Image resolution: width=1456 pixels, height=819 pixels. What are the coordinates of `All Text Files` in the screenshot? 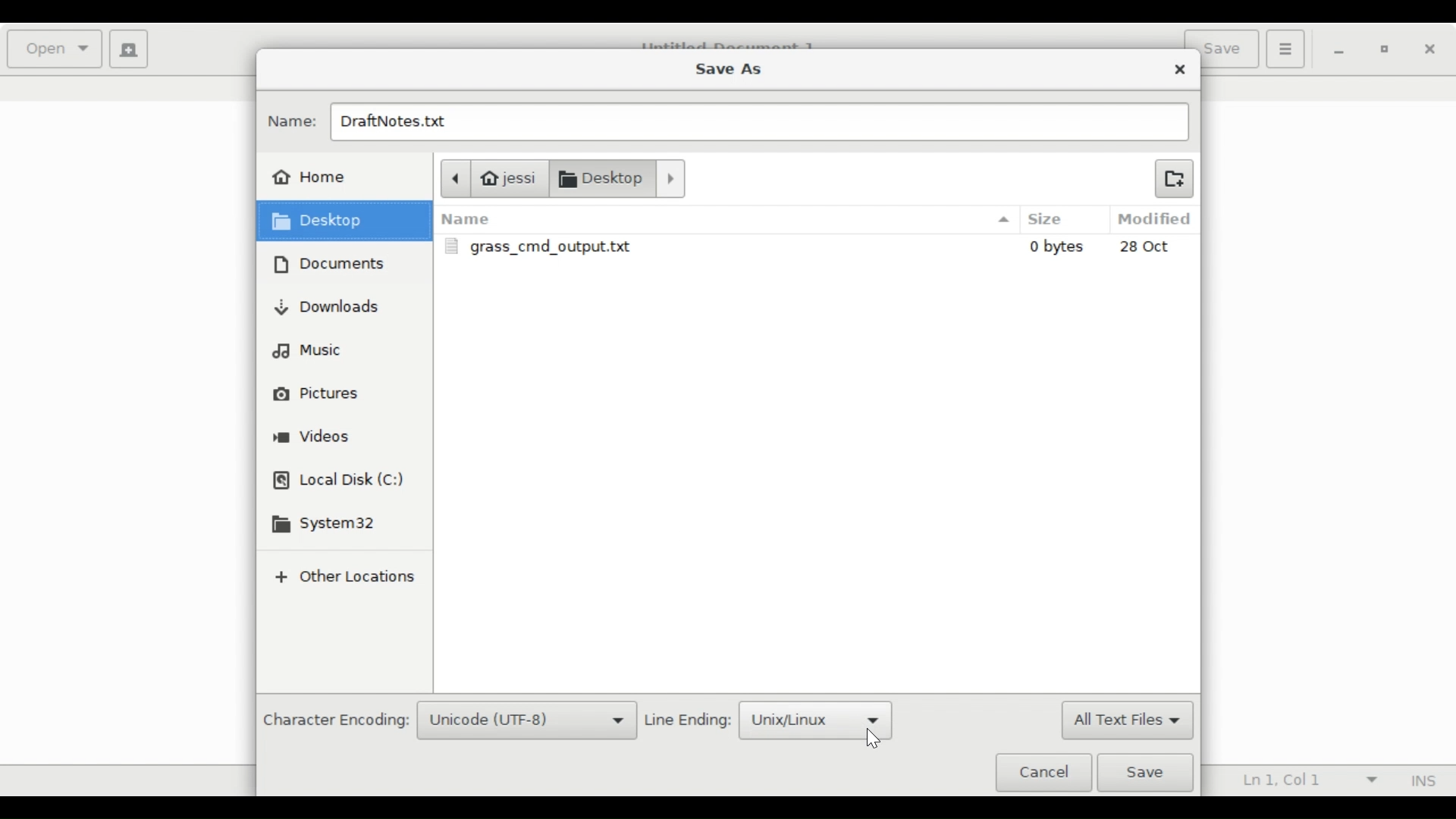 It's located at (1126, 721).